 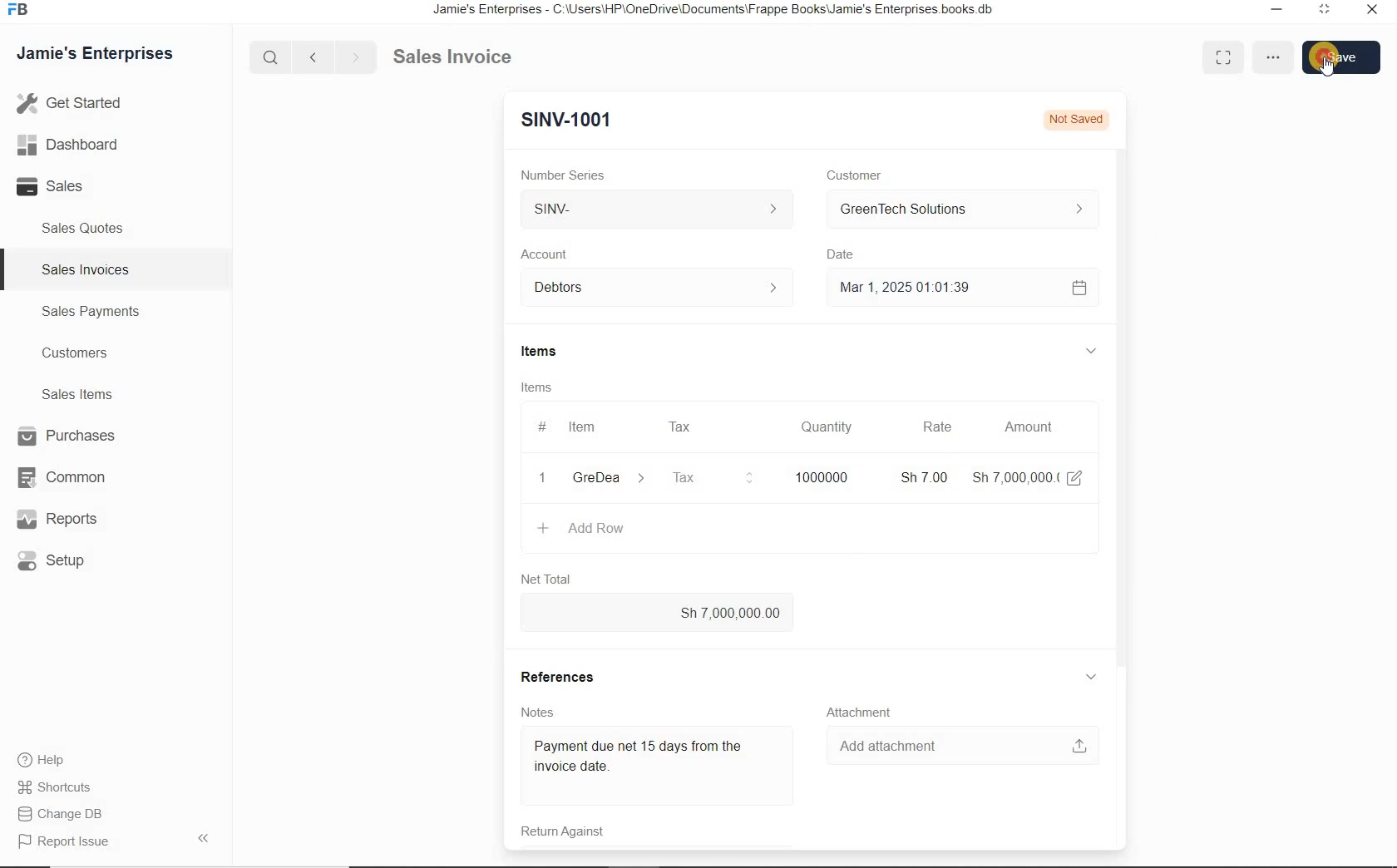 What do you see at coordinates (312, 57) in the screenshot?
I see `previous page` at bounding box center [312, 57].